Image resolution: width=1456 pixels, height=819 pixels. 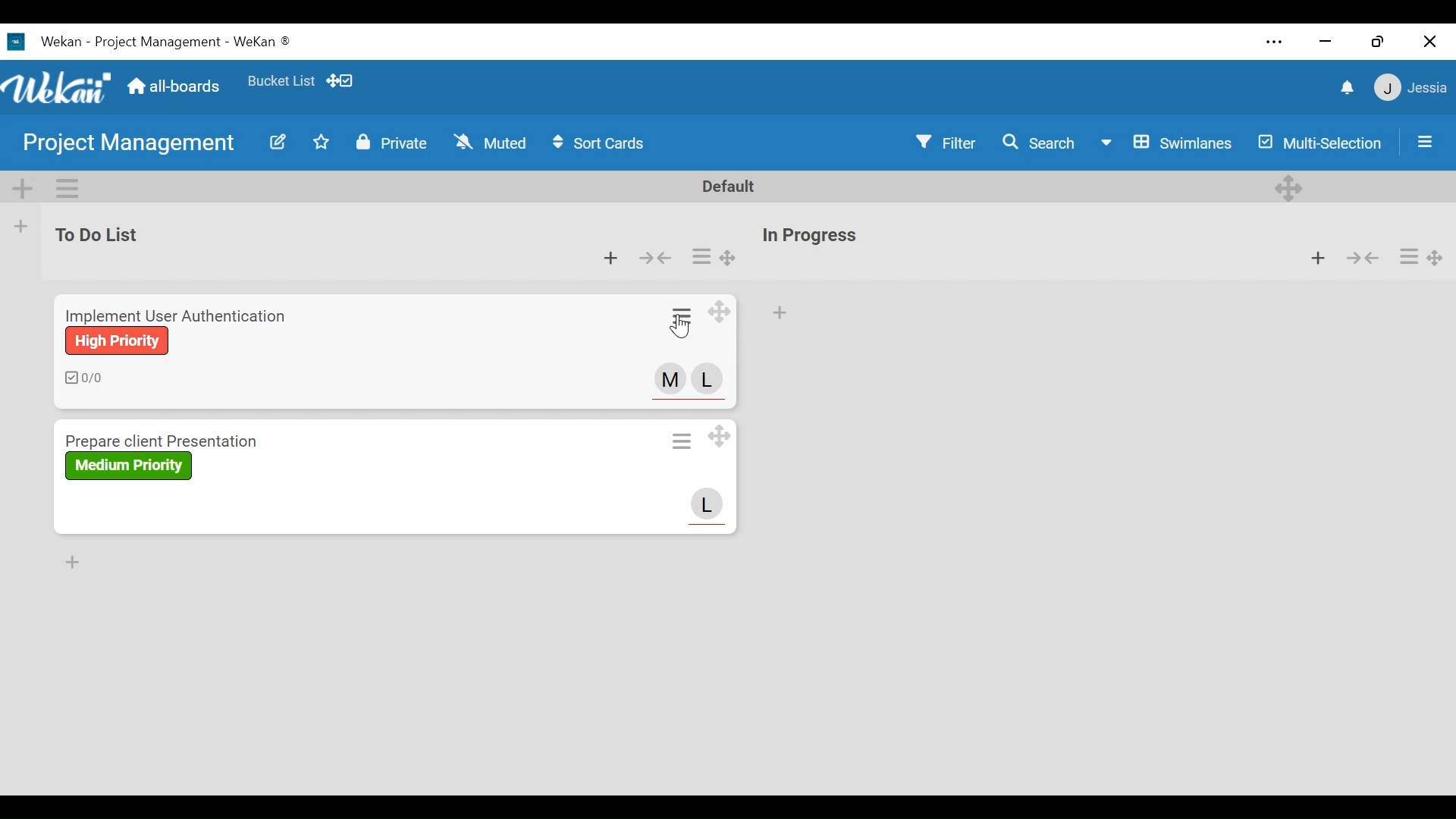 I want to click on List Name, so click(x=95, y=233).